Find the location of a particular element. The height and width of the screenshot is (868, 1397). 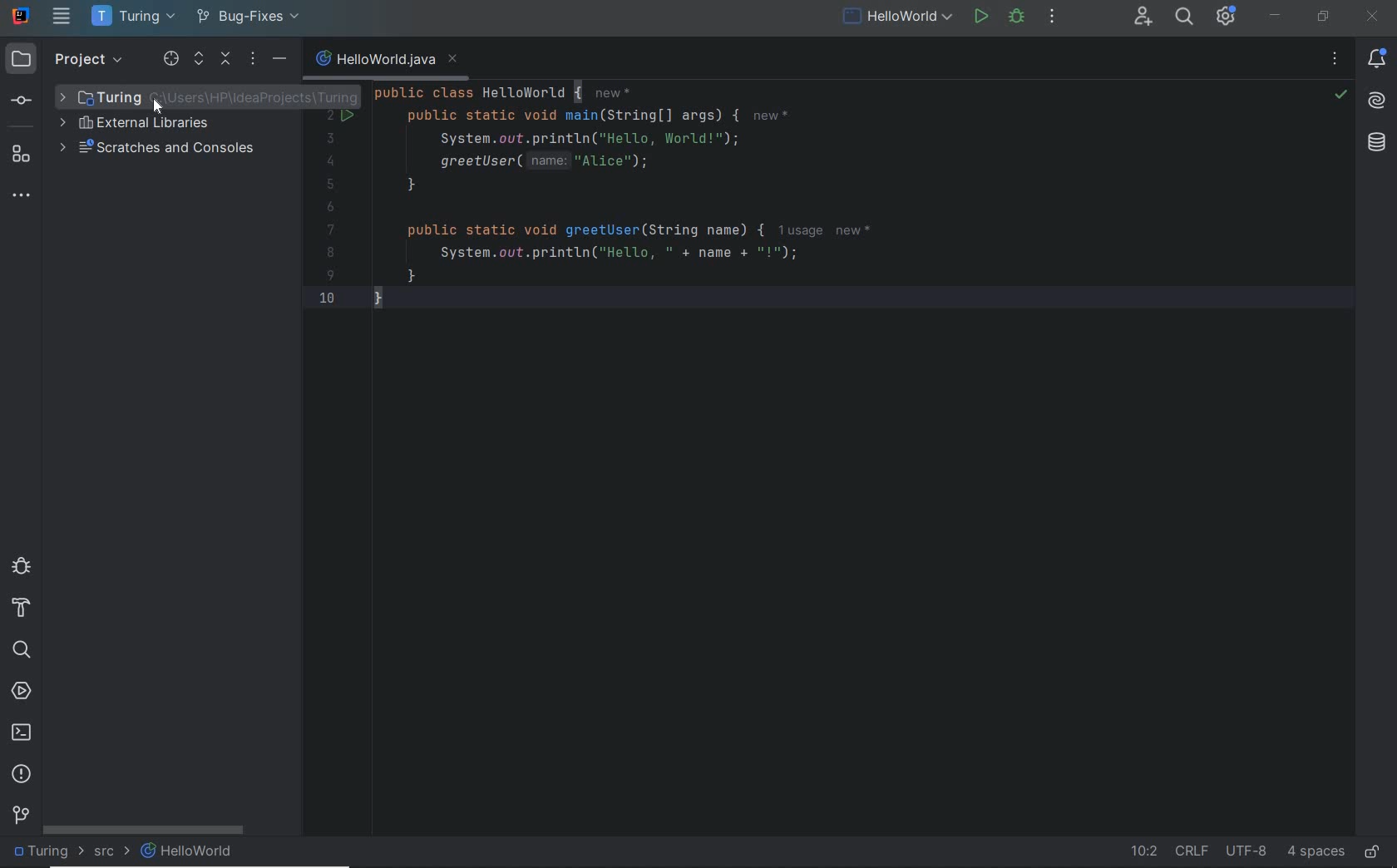

search is located at coordinates (20, 648).